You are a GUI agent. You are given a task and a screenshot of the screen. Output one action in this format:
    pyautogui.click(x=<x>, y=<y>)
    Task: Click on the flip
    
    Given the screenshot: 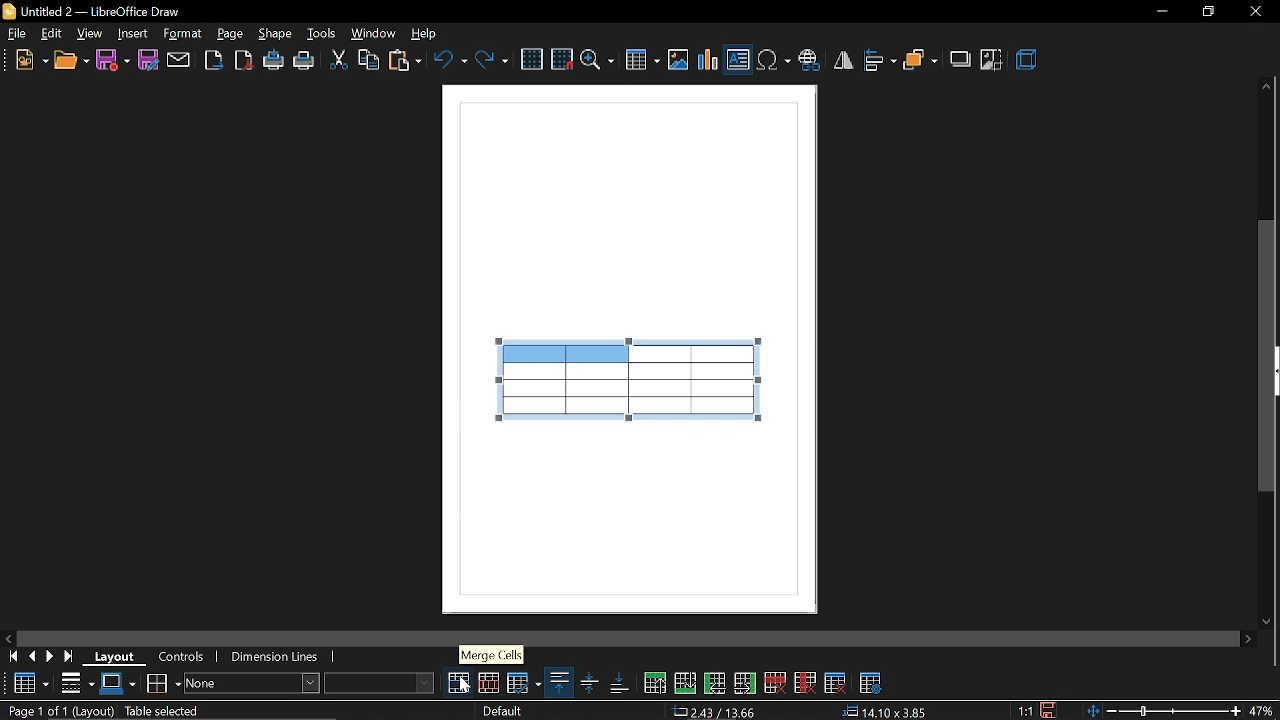 What is the action you would take?
    pyautogui.click(x=842, y=58)
    